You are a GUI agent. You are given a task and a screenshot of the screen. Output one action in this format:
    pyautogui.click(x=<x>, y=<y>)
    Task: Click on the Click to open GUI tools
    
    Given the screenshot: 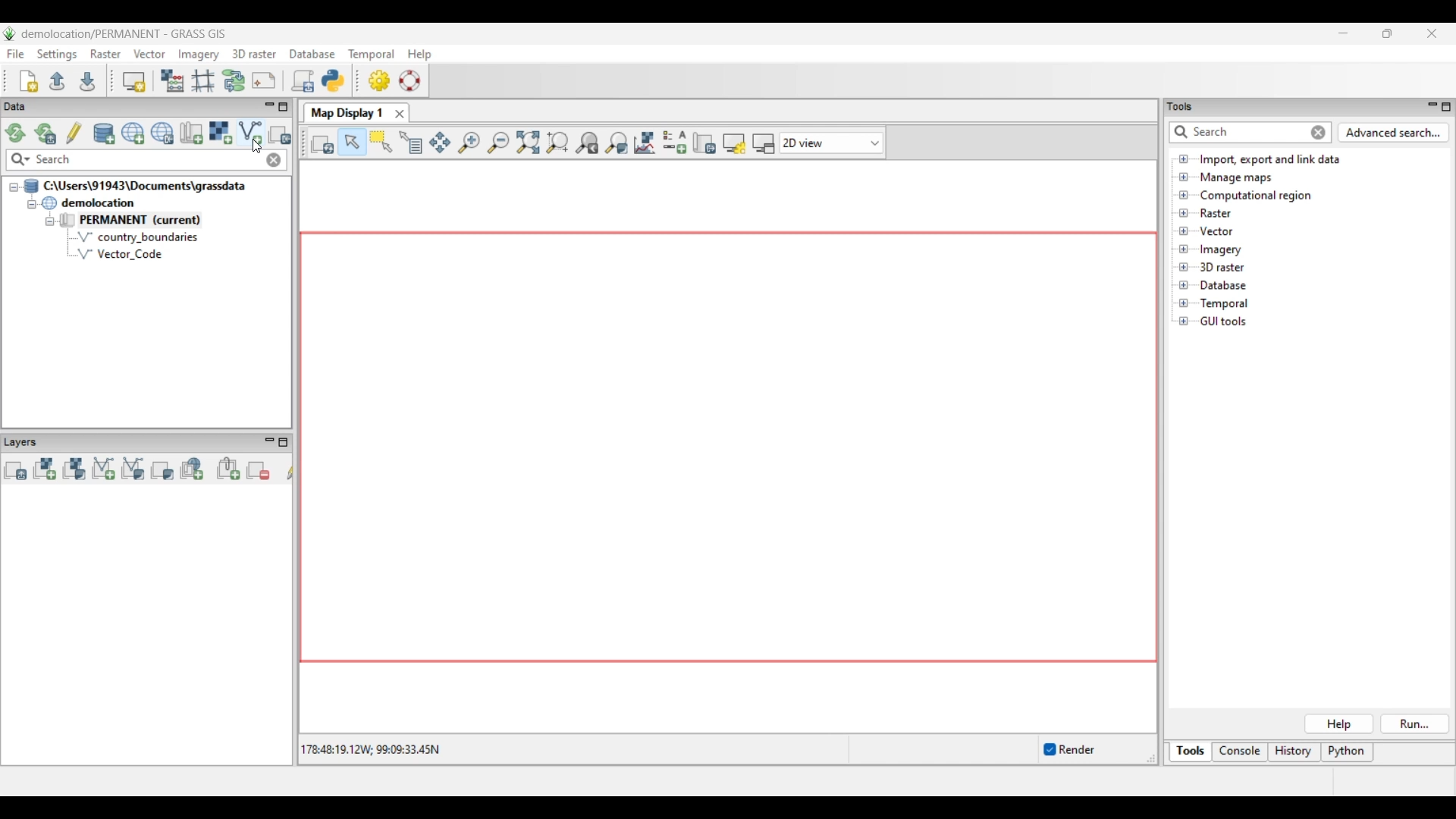 What is the action you would take?
    pyautogui.click(x=1184, y=322)
    